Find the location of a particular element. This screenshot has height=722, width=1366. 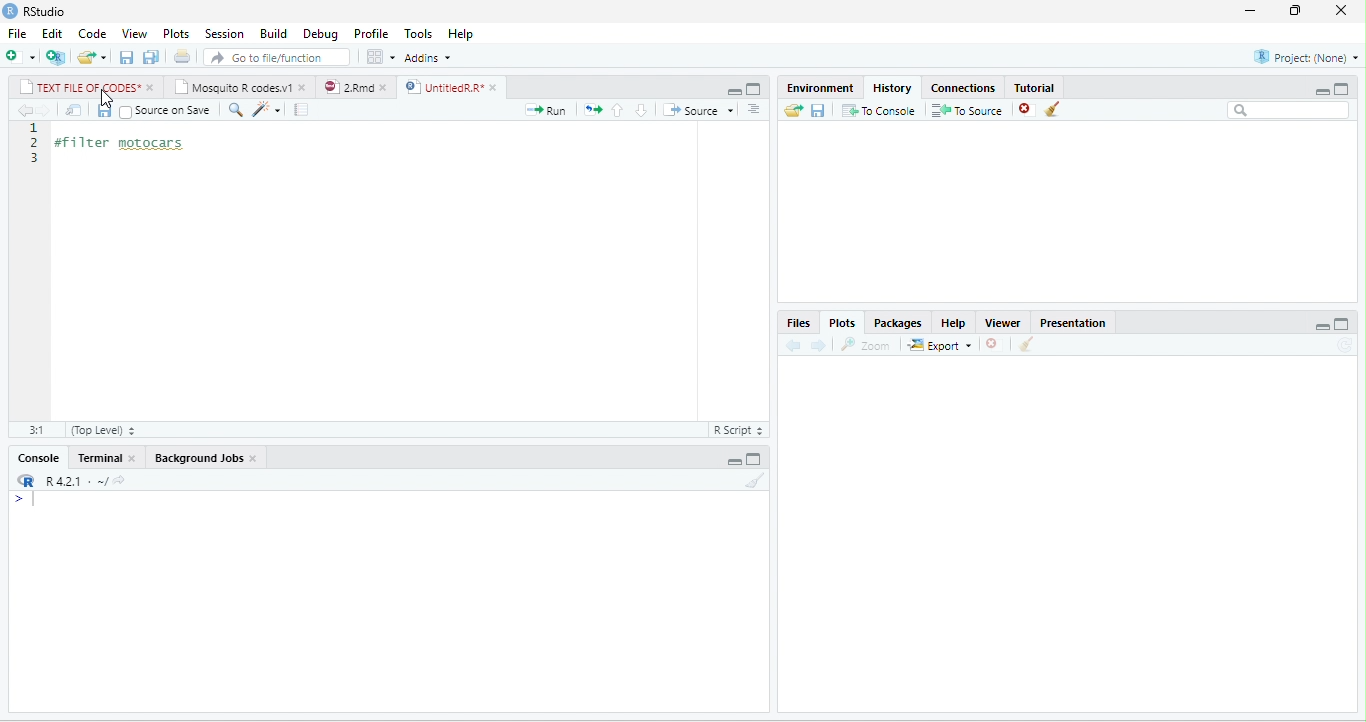

rerun is located at coordinates (593, 110).